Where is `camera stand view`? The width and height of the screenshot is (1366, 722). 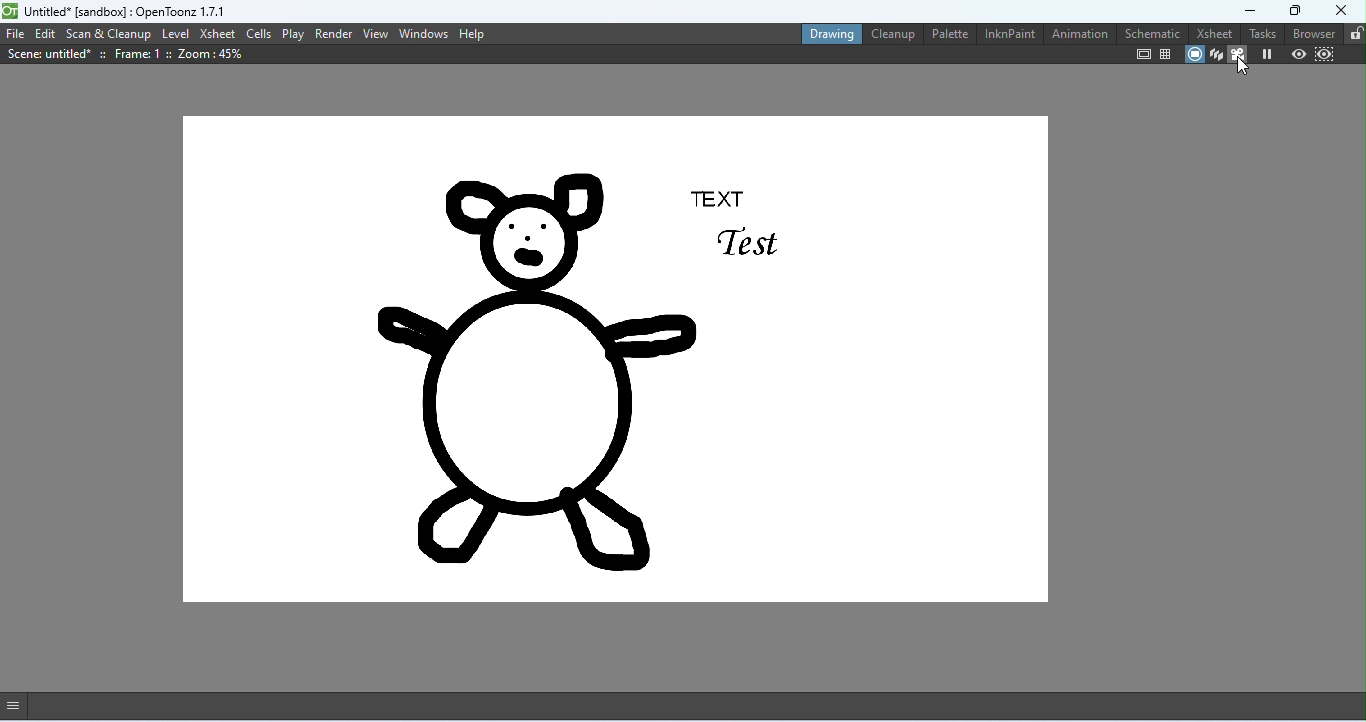
camera stand view is located at coordinates (1191, 55).